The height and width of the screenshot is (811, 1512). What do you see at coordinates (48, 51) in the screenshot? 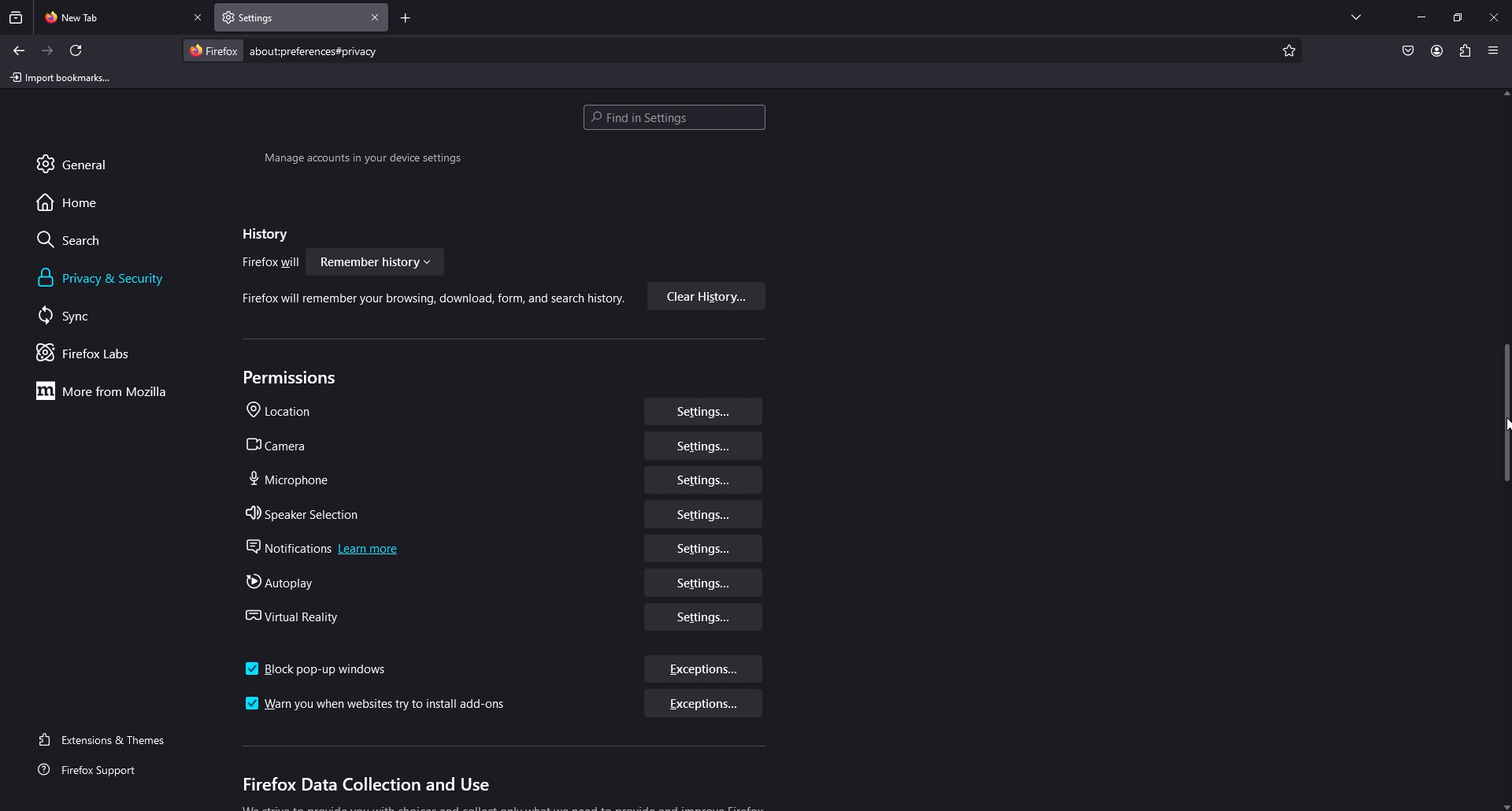
I see `forward` at bounding box center [48, 51].